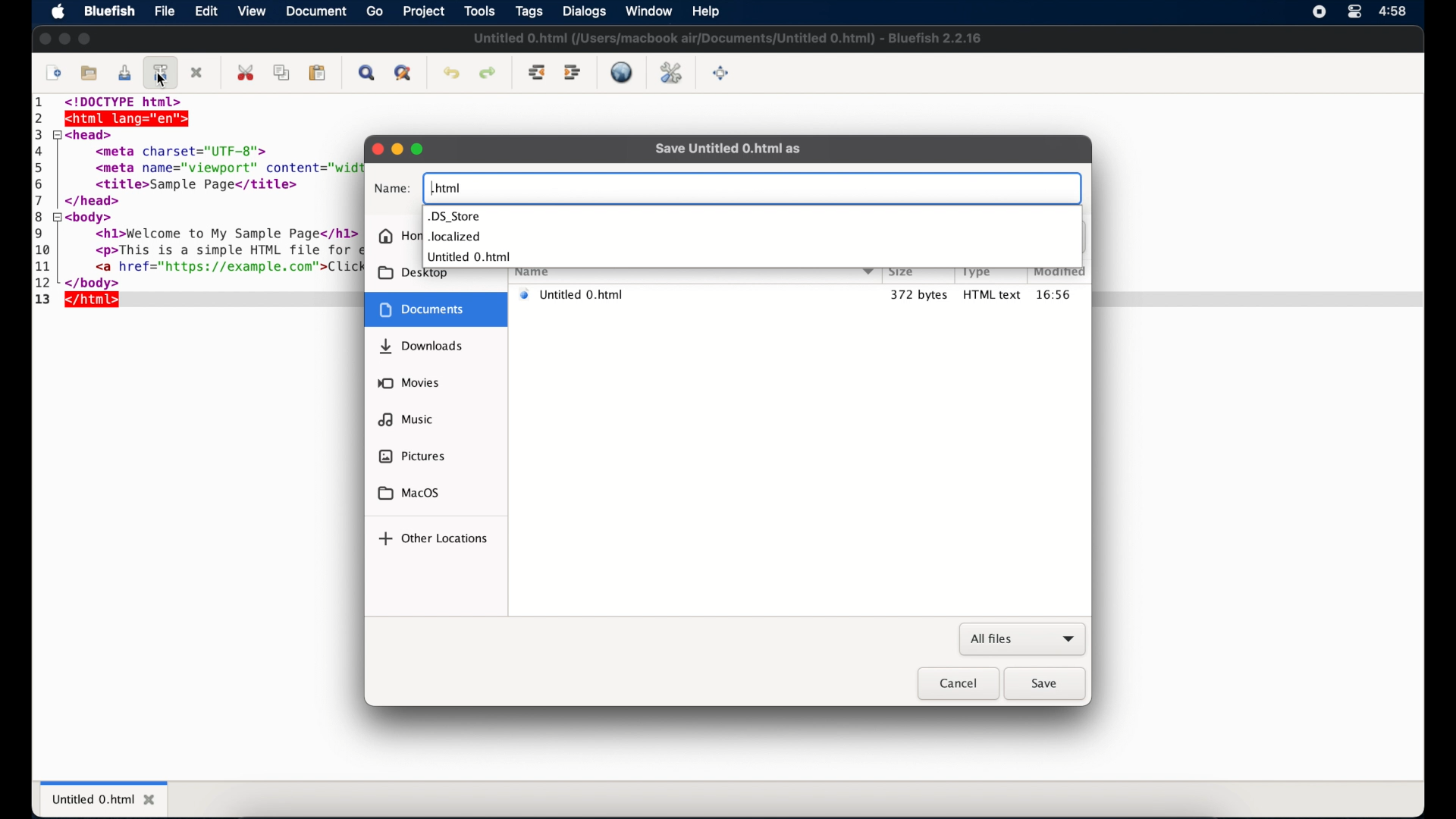 This screenshot has height=819, width=1456. Describe the element at coordinates (54, 74) in the screenshot. I see `new` at that location.